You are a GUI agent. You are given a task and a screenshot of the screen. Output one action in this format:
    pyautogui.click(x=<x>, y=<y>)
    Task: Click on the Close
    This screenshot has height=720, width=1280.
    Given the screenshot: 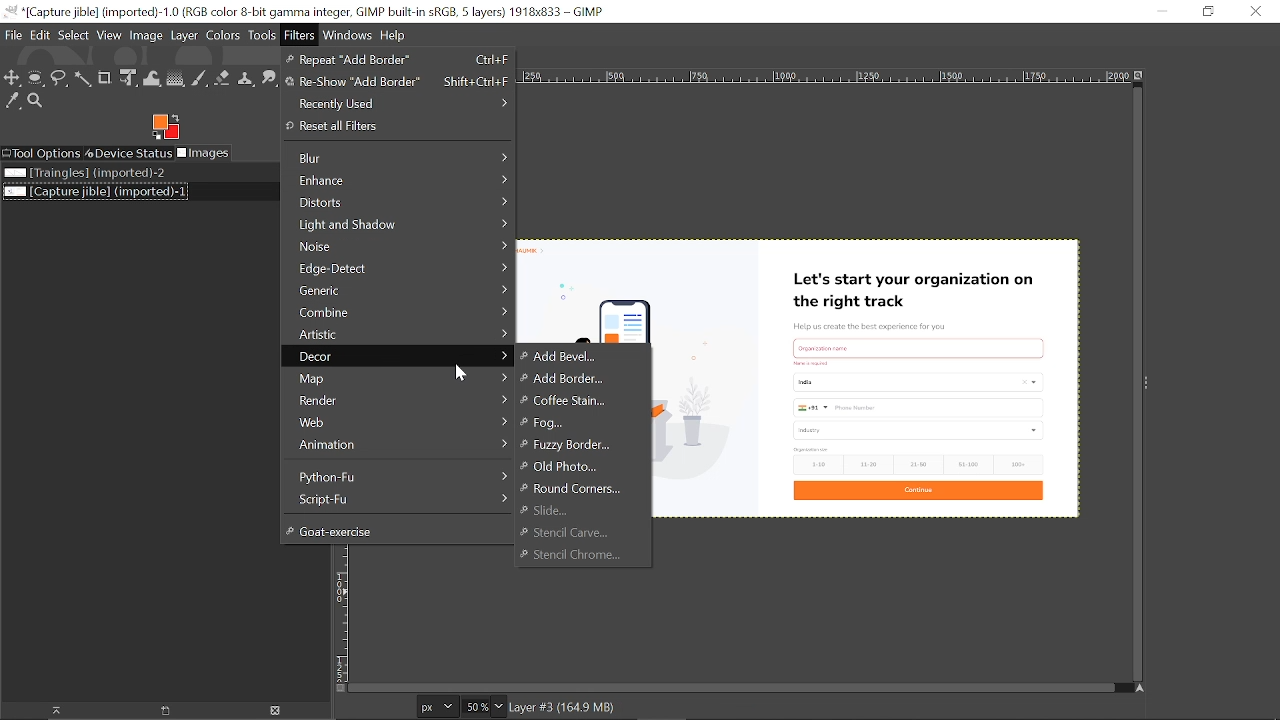 What is the action you would take?
    pyautogui.click(x=1257, y=11)
    